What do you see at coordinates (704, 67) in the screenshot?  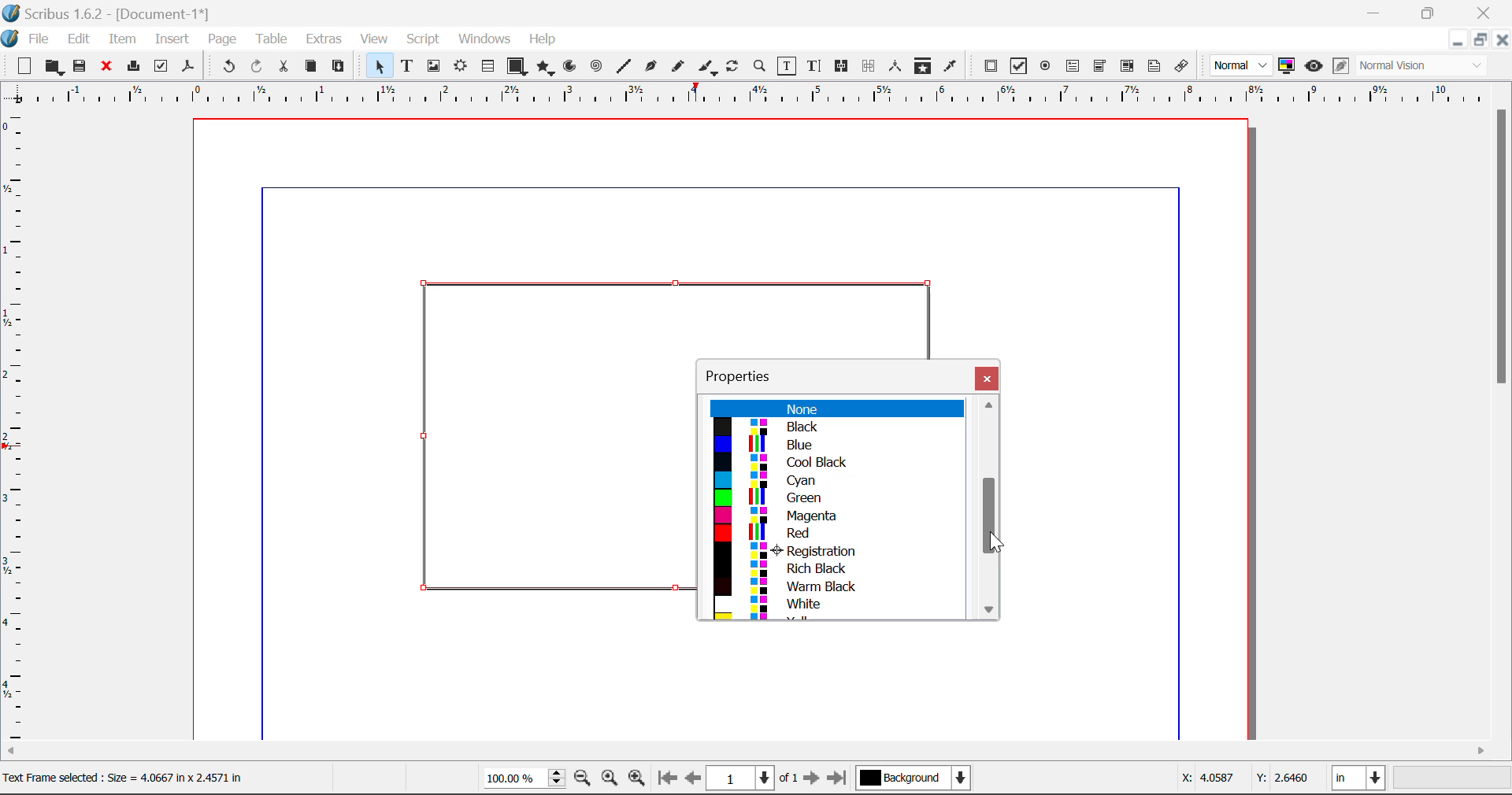 I see `Calligraphic Line` at bounding box center [704, 67].